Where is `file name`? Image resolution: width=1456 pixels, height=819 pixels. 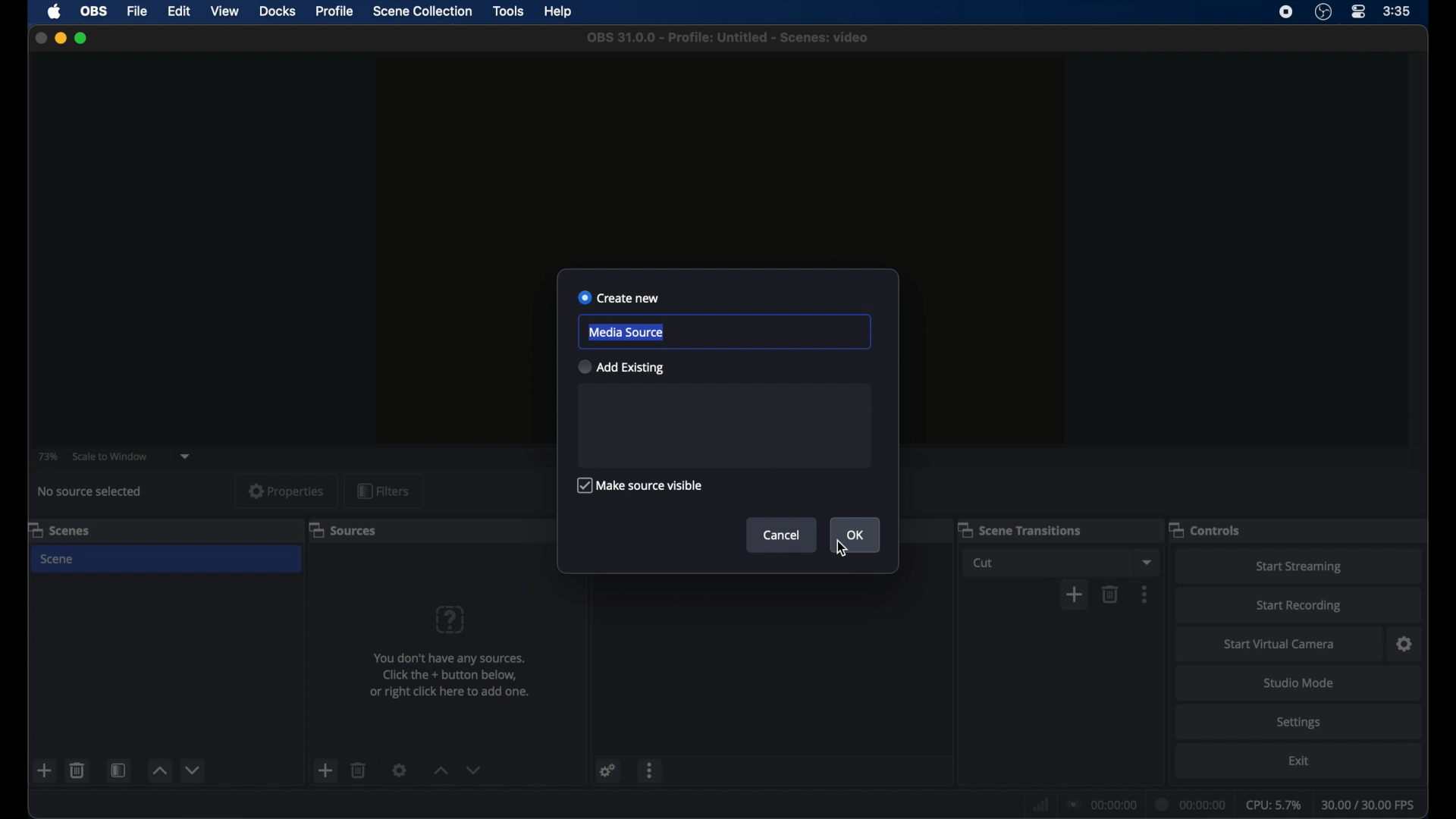
file name is located at coordinates (728, 38).